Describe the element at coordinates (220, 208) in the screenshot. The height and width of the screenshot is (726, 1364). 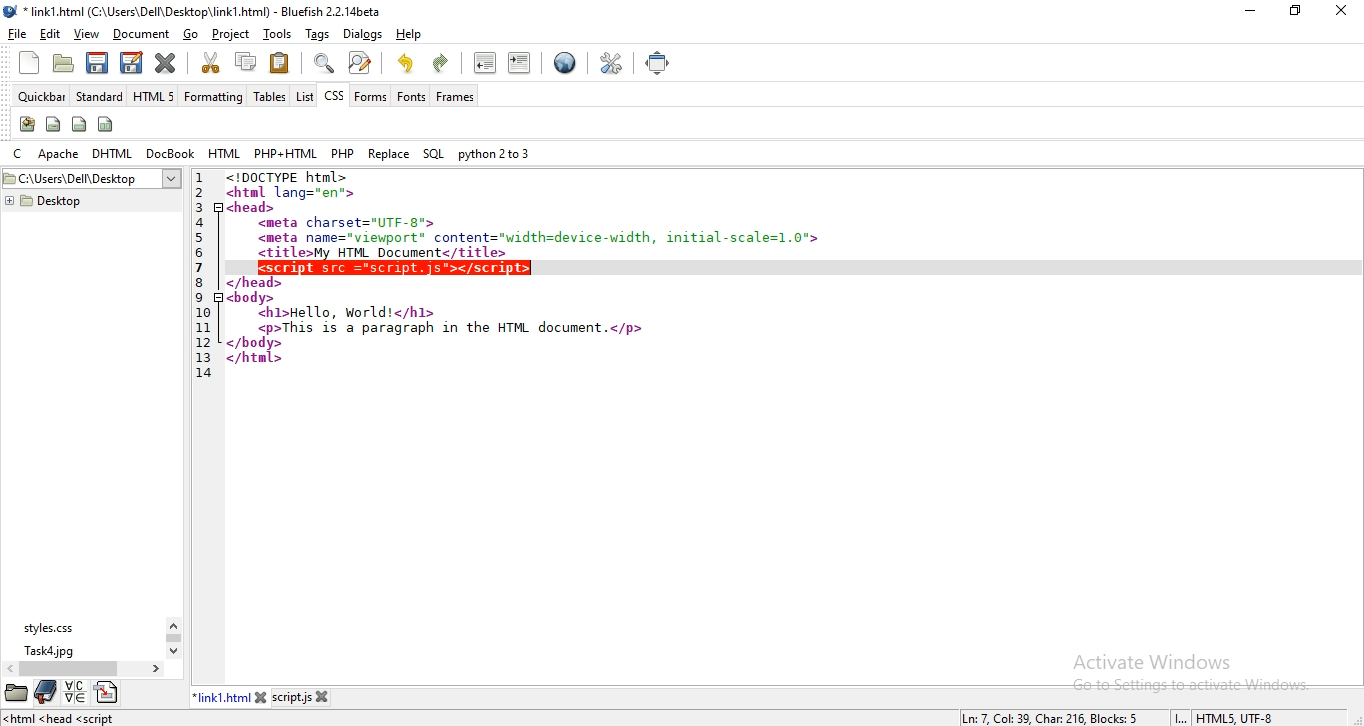
I see `code fold` at that location.